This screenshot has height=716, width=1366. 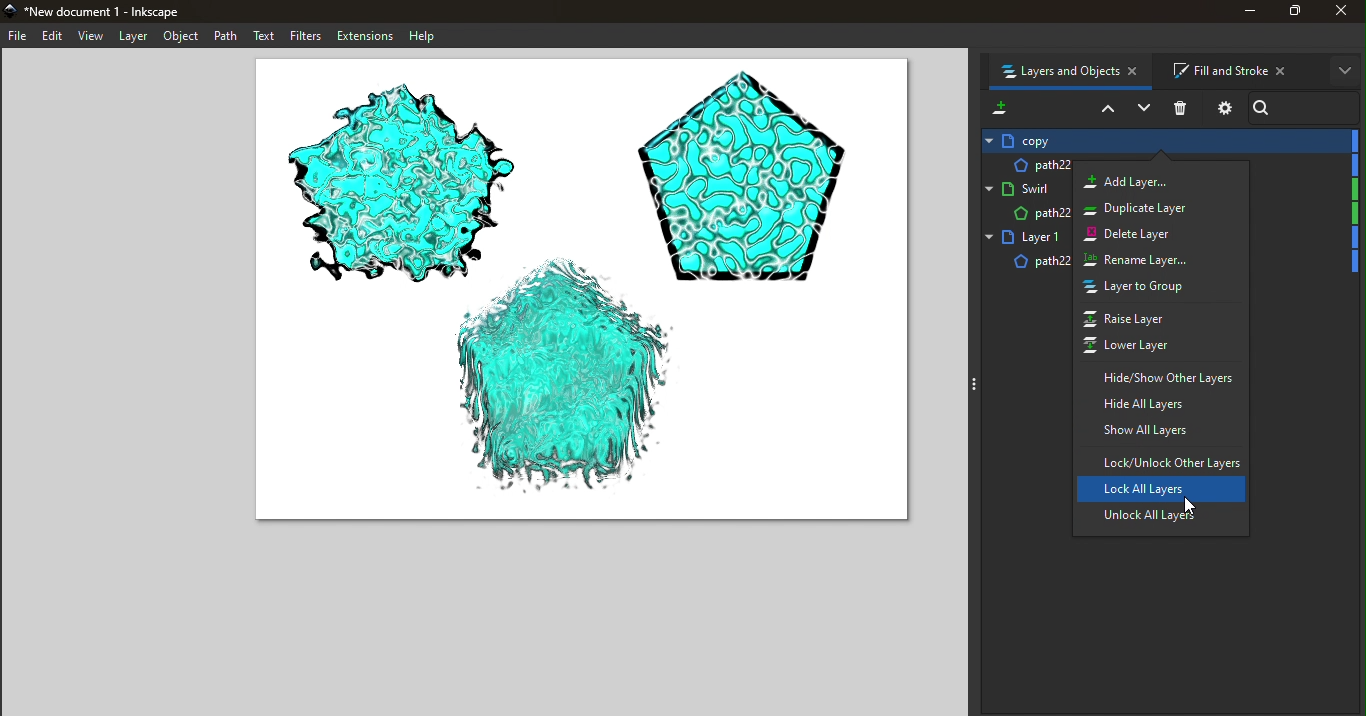 What do you see at coordinates (1292, 14) in the screenshot?
I see `Maximize` at bounding box center [1292, 14].